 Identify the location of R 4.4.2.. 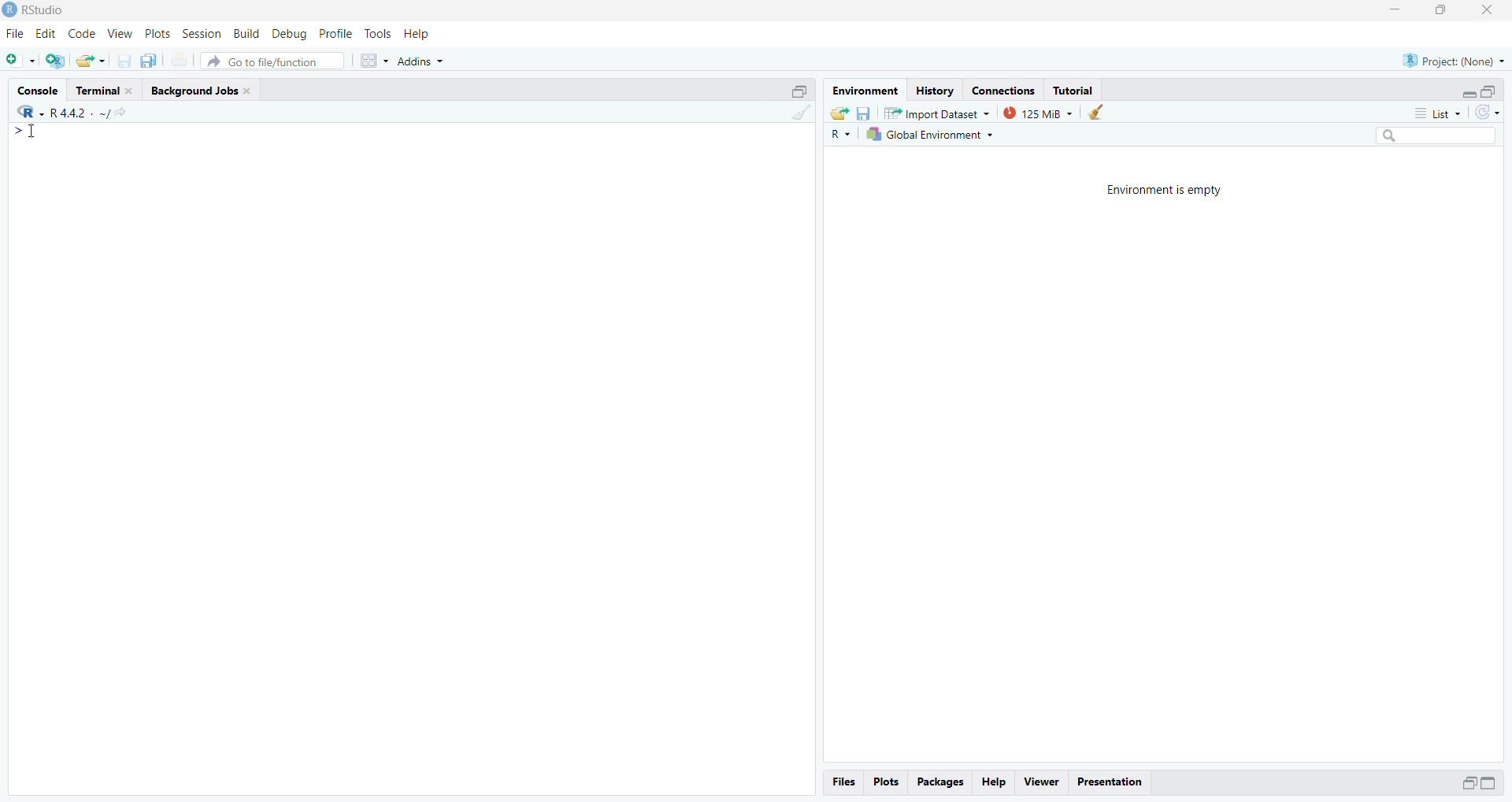
(54, 112).